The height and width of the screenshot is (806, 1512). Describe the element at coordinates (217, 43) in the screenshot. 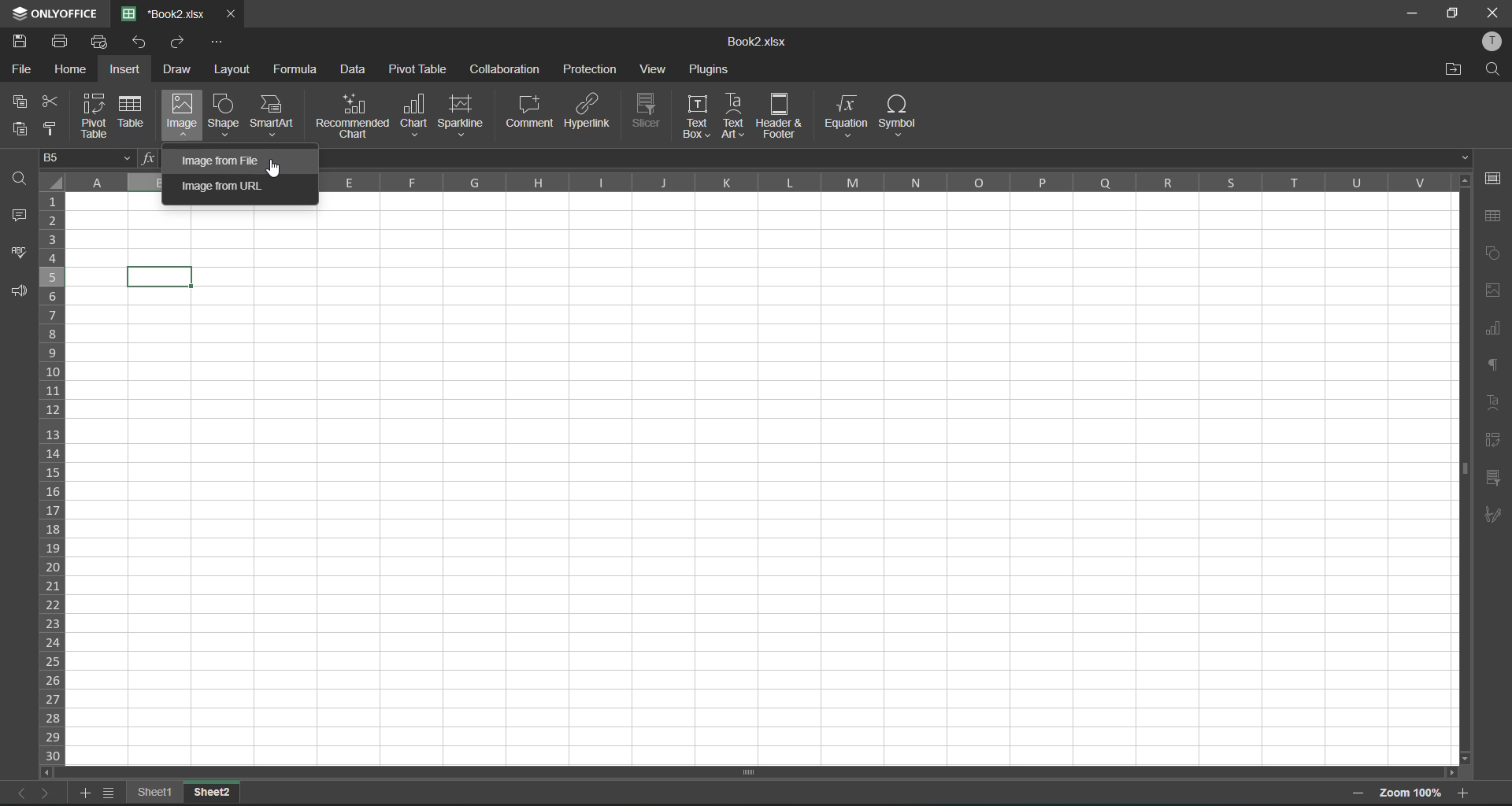

I see `customize quick access toolbar` at that location.